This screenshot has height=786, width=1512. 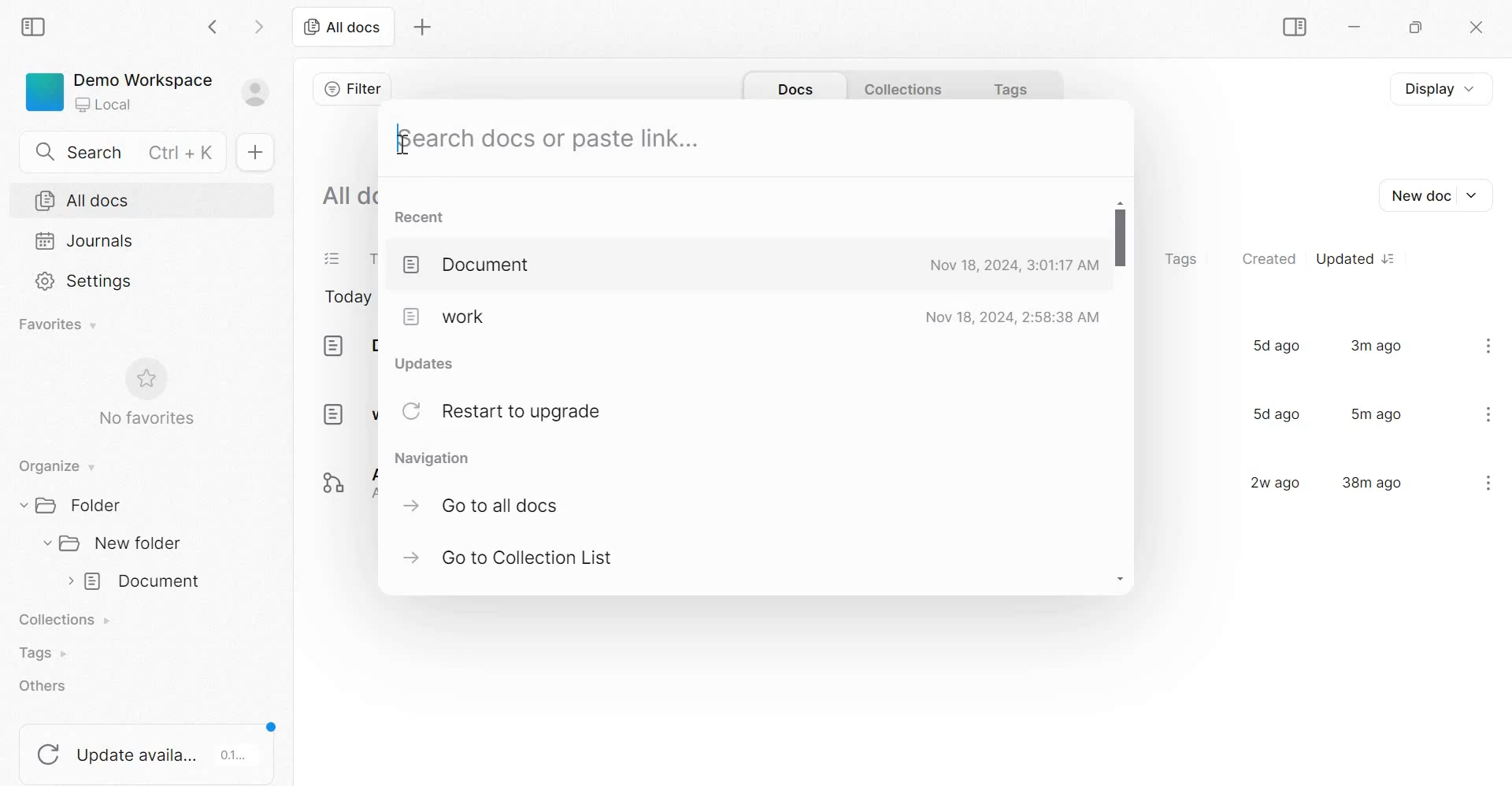 I want to click on go to collection list, so click(x=511, y=559).